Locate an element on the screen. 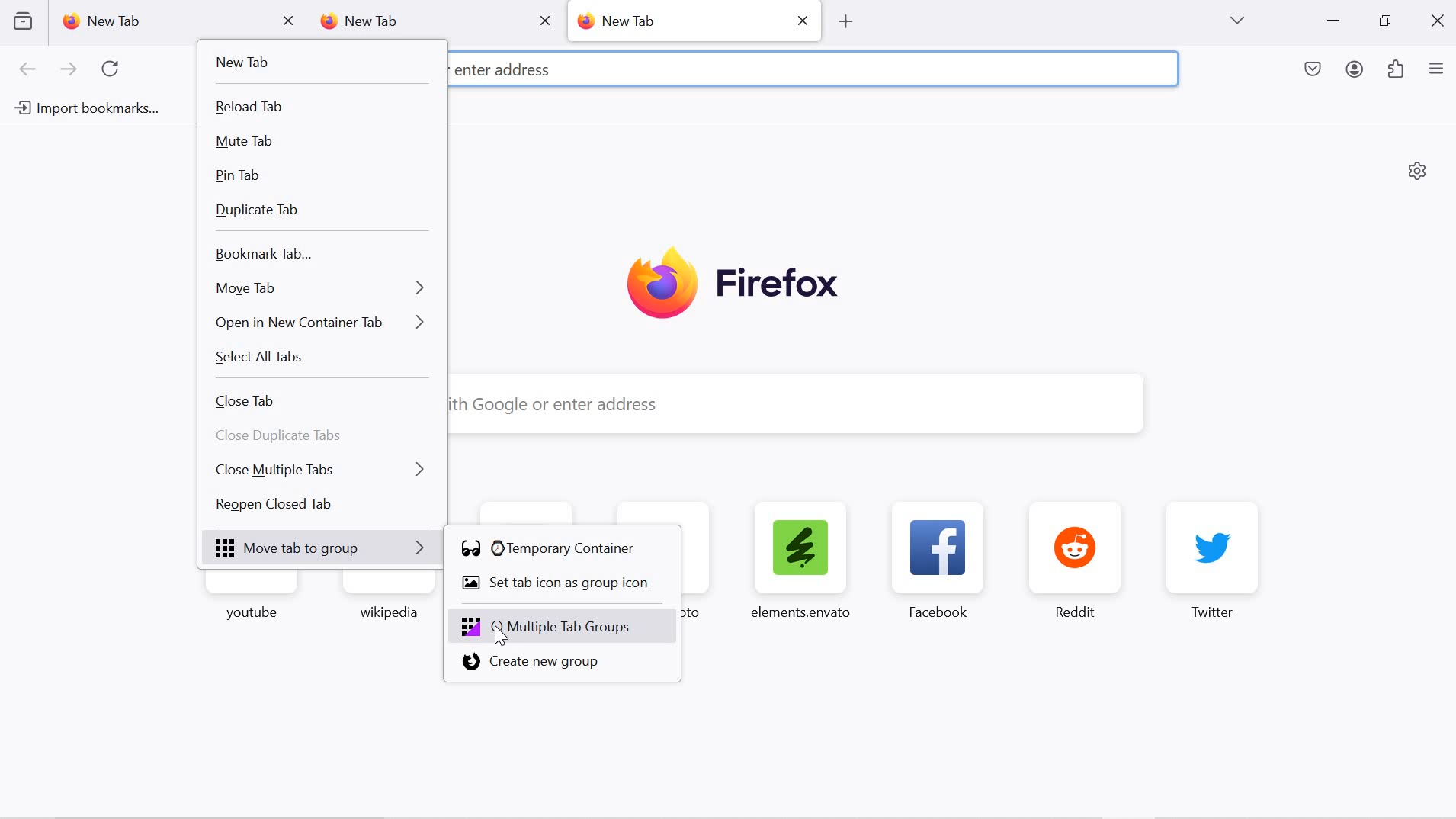 The height and width of the screenshot is (819, 1456). application menu is located at coordinates (1436, 70).